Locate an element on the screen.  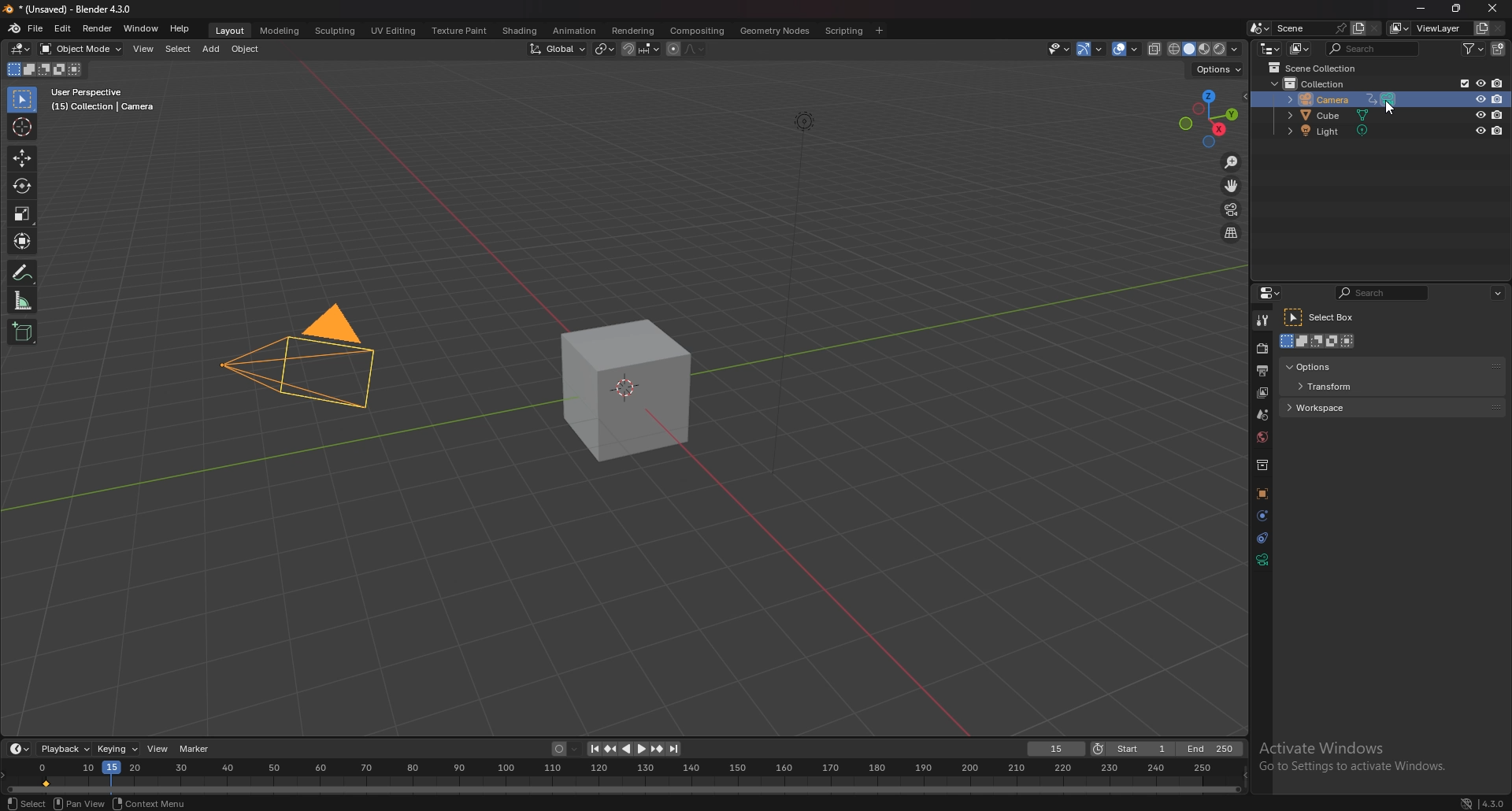
scripting is located at coordinates (843, 31).